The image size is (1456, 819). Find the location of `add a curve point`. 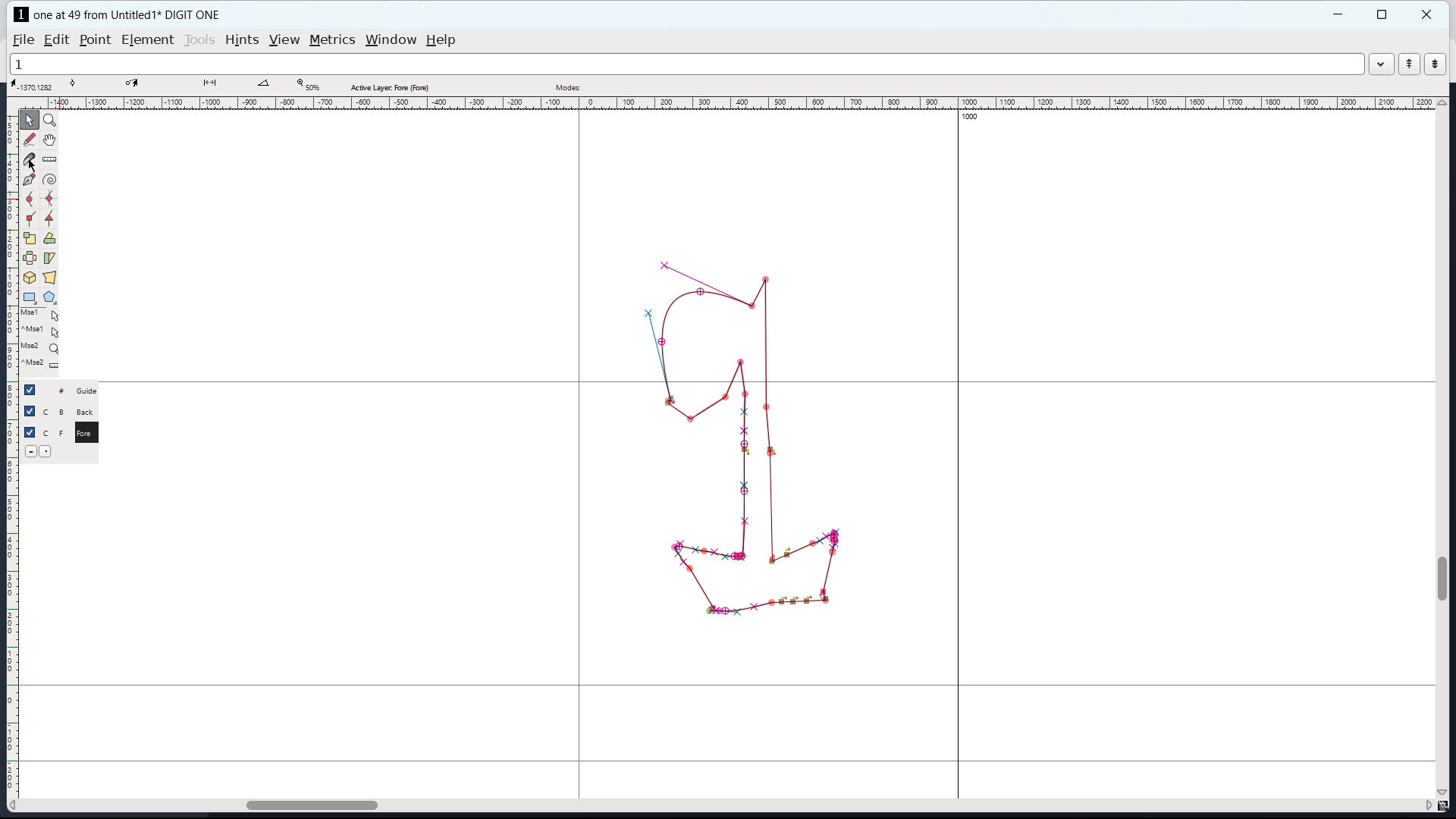

add a curve point is located at coordinates (30, 200).